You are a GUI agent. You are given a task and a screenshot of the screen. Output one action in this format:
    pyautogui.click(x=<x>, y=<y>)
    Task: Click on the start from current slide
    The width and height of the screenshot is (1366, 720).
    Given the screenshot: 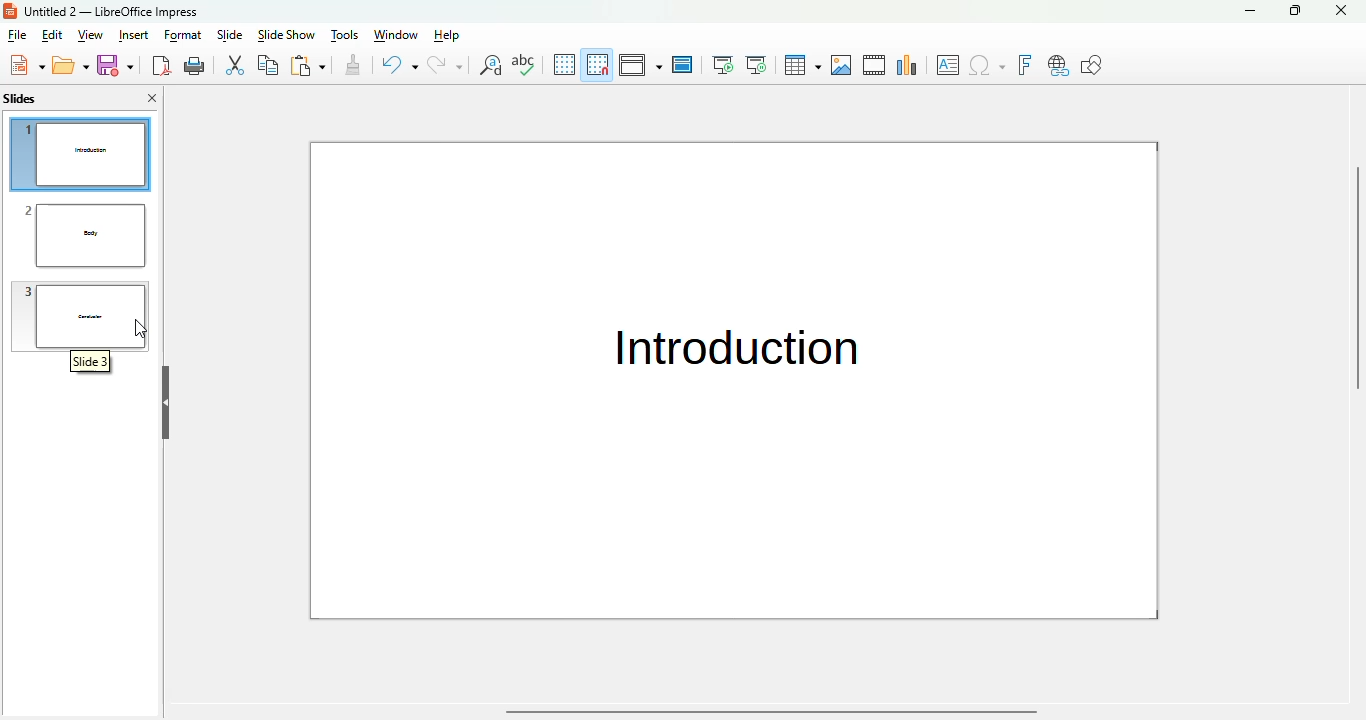 What is the action you would take?
    pyautogui.click(x=756, y=65)
    